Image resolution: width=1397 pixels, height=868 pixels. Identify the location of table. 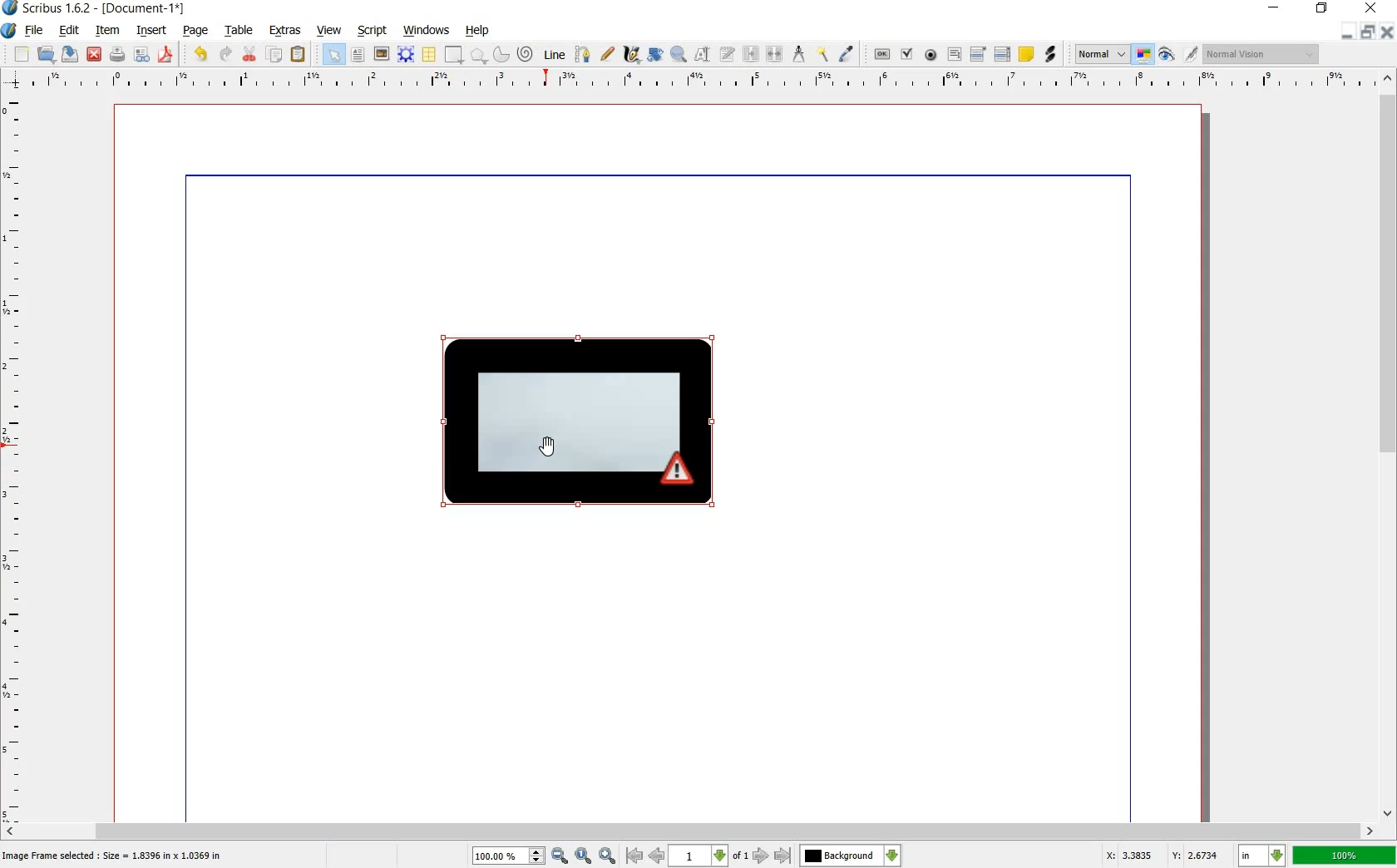
(240, 31).